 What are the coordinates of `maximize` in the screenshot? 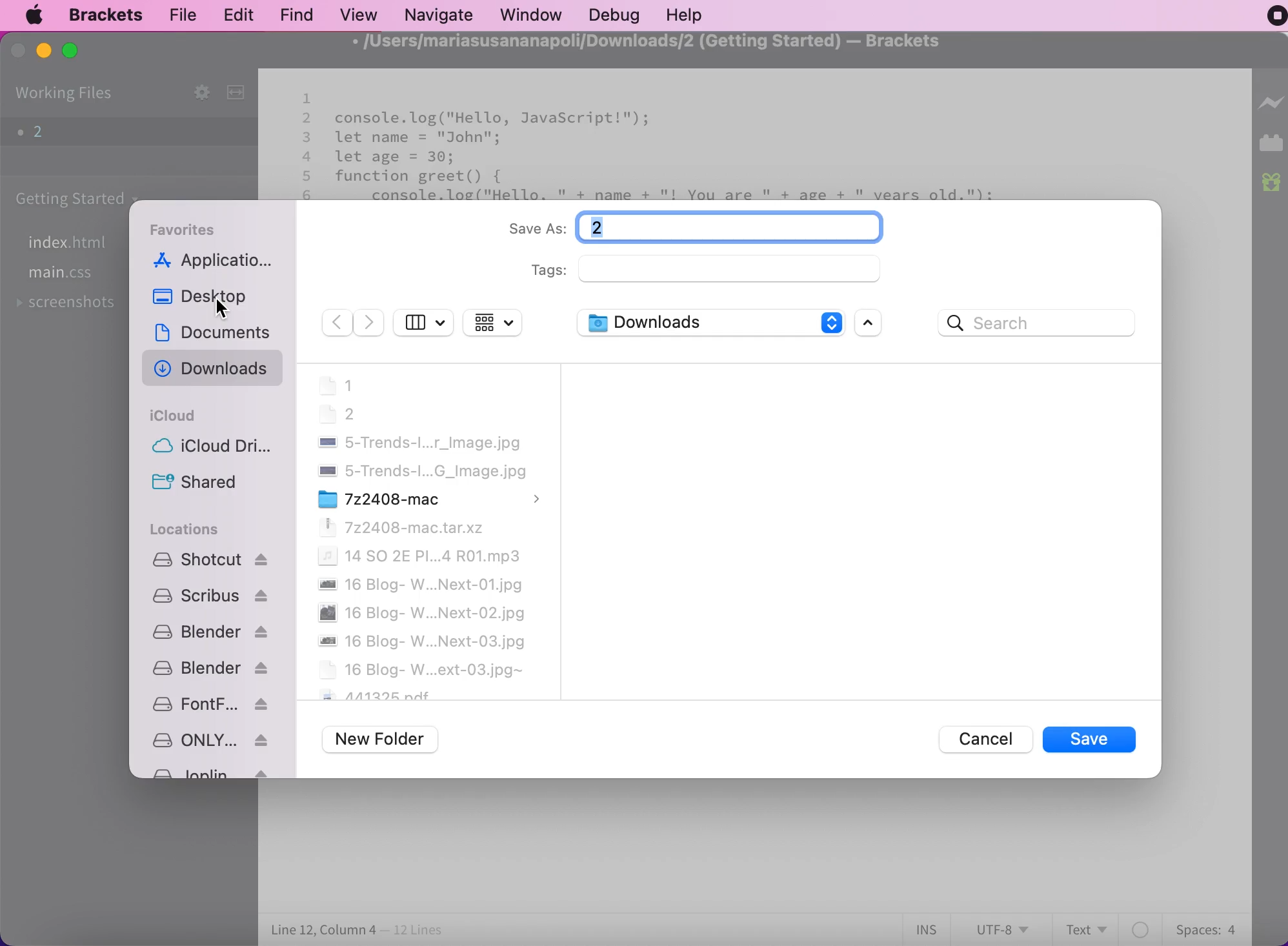 It's located at (79, 52).